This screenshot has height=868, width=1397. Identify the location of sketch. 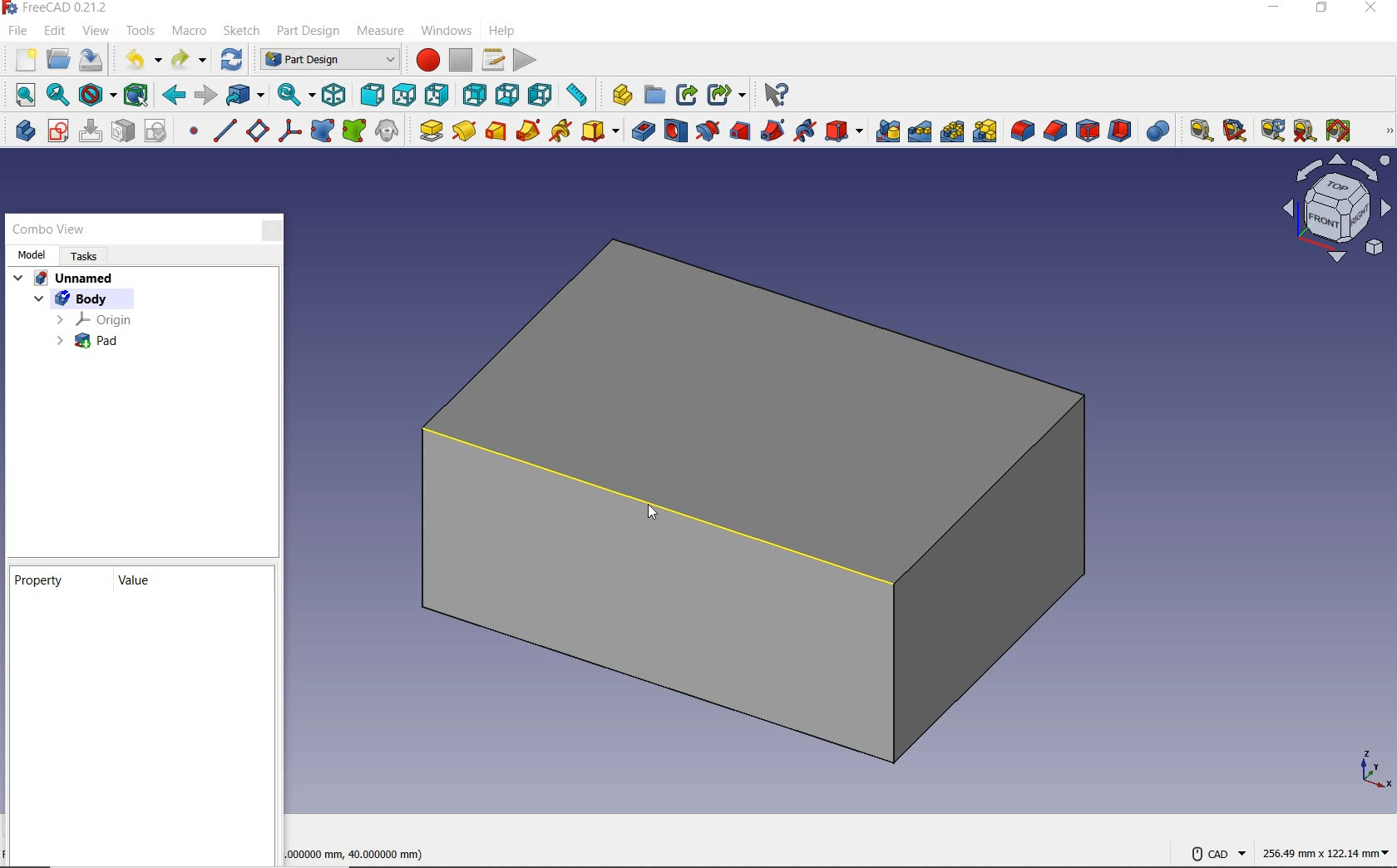
(241, 32).